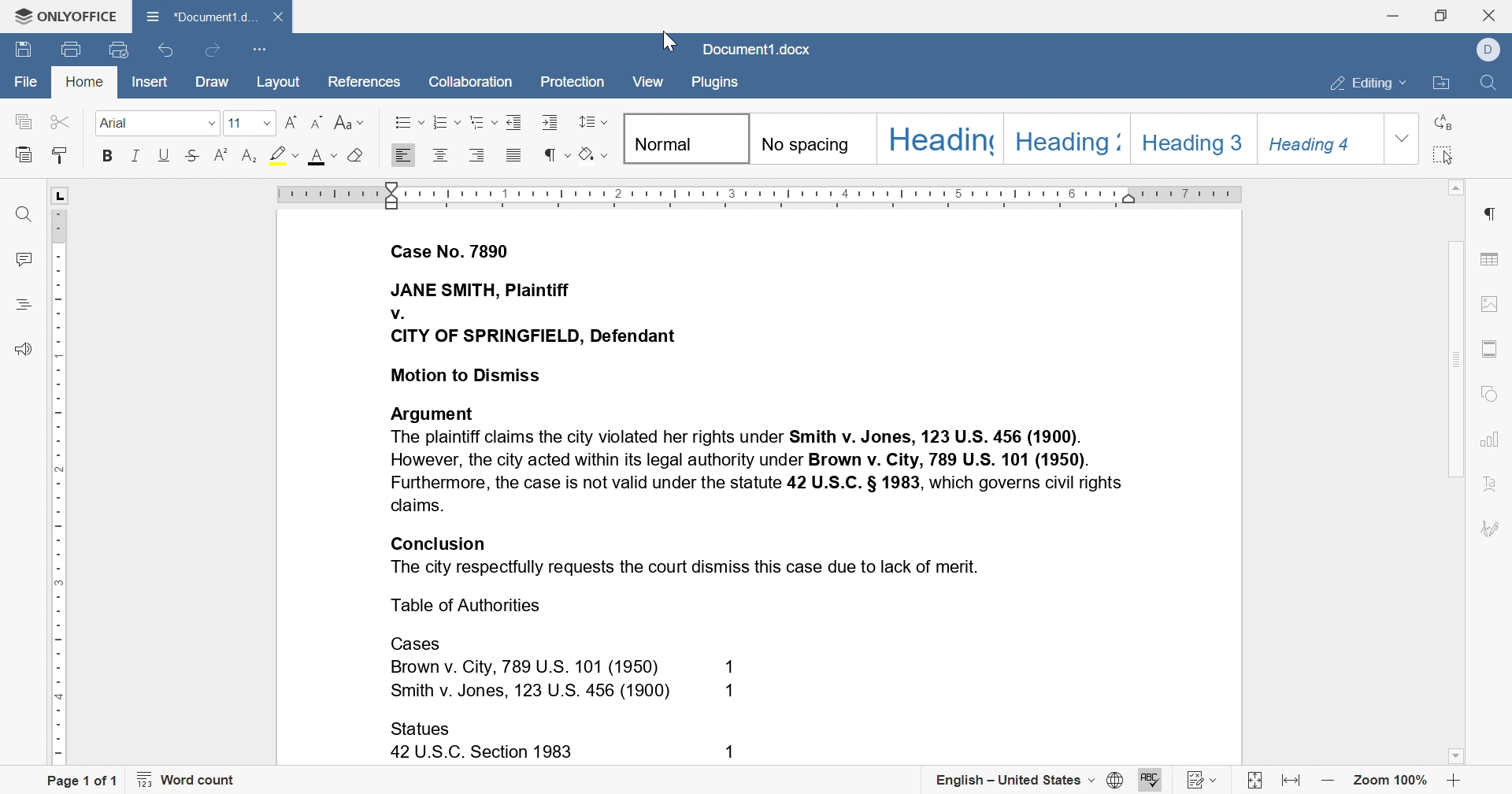 The width and height of the screenshot is (1512, 794). What do you see at coordinates (59, 157) in the screenshot?
I see `paste` at bounding box center [59, 157].